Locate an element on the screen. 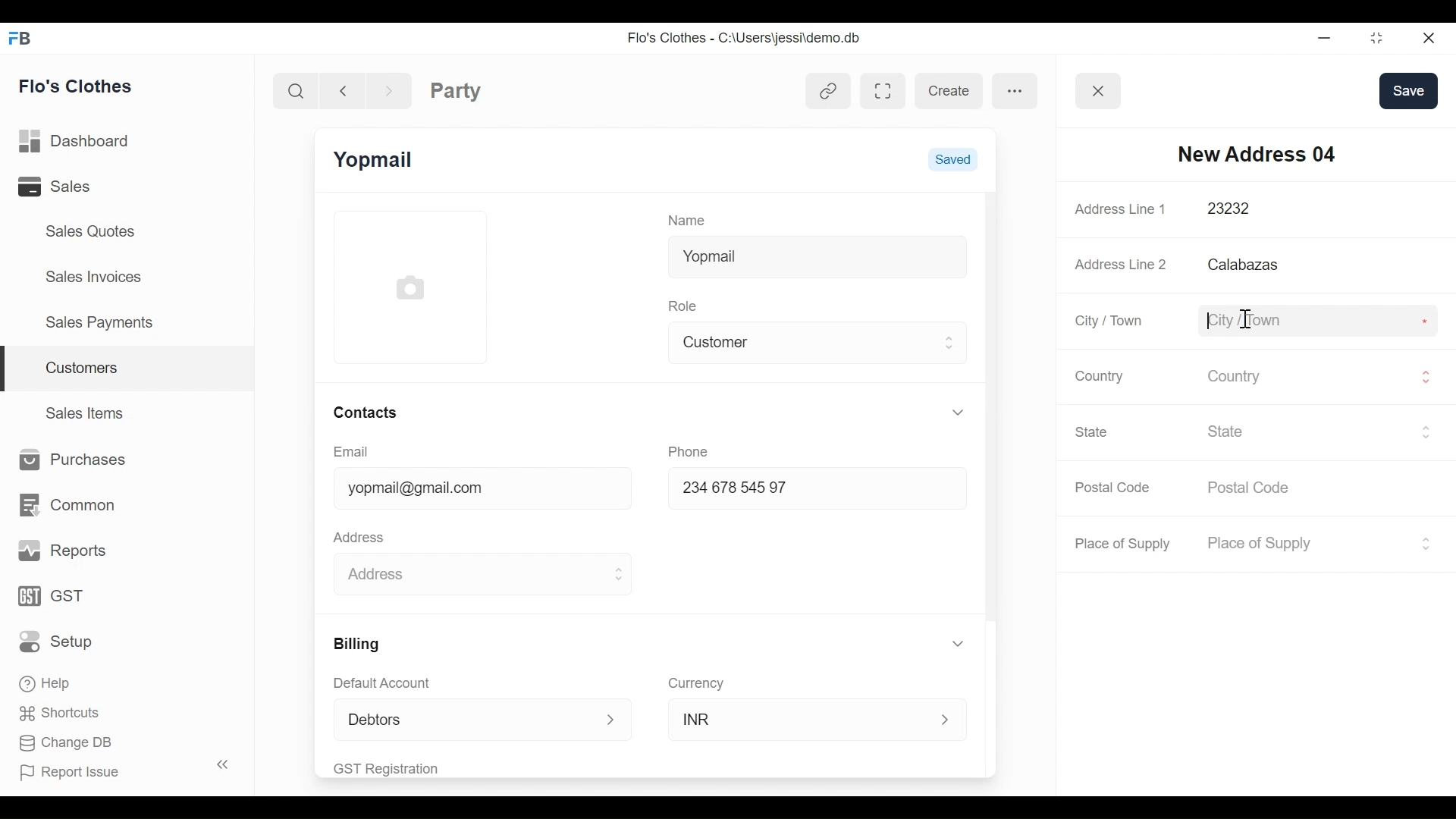  City / Town is located at coordinates (1110, 321).